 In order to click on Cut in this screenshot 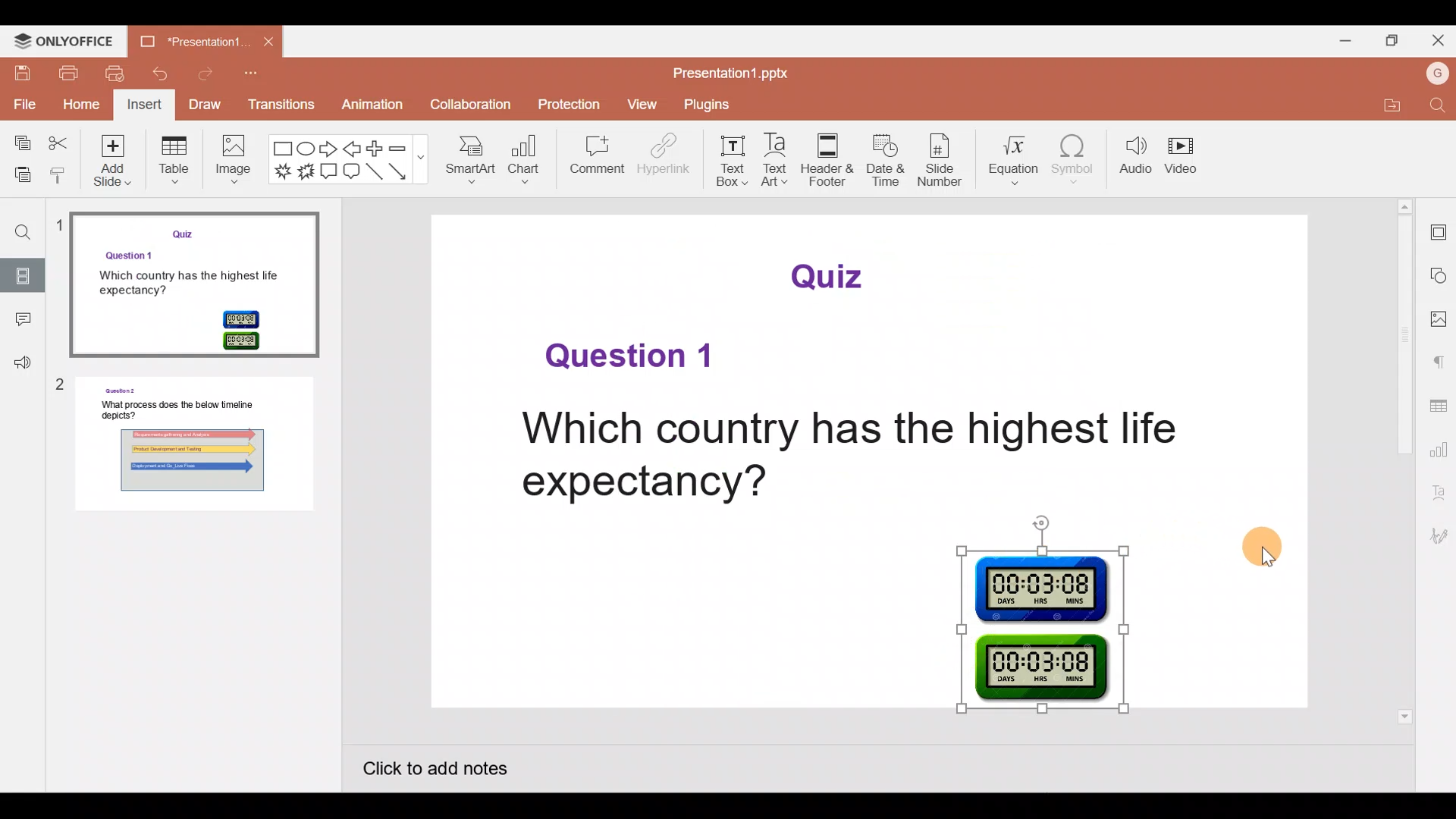, I will do `click(60, 143)`.